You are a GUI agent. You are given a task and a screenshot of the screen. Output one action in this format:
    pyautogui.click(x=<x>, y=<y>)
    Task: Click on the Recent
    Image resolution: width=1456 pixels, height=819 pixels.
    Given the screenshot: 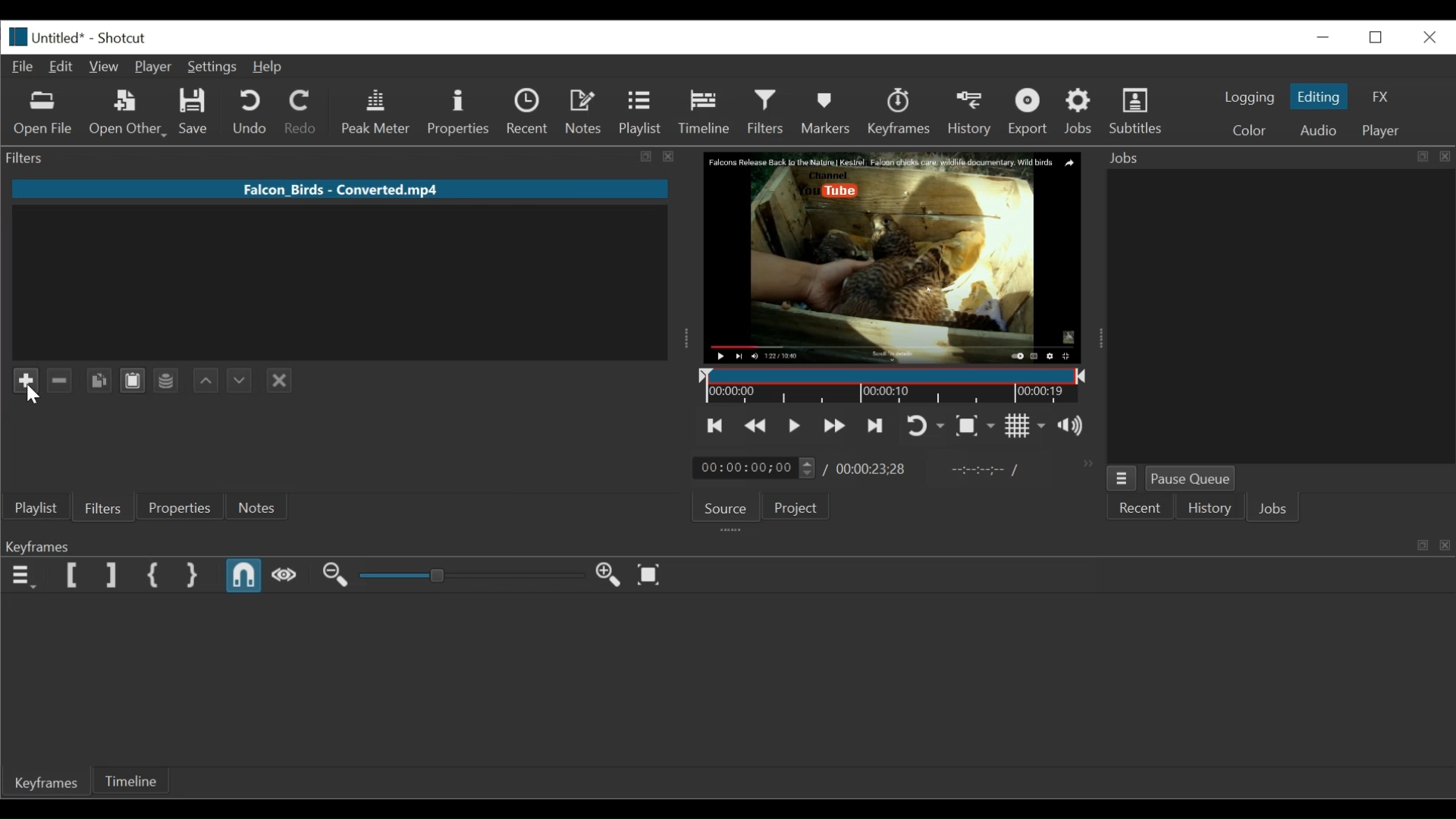 What is the action you would take?
    pyautogui.click(x=1141, y=507)
    